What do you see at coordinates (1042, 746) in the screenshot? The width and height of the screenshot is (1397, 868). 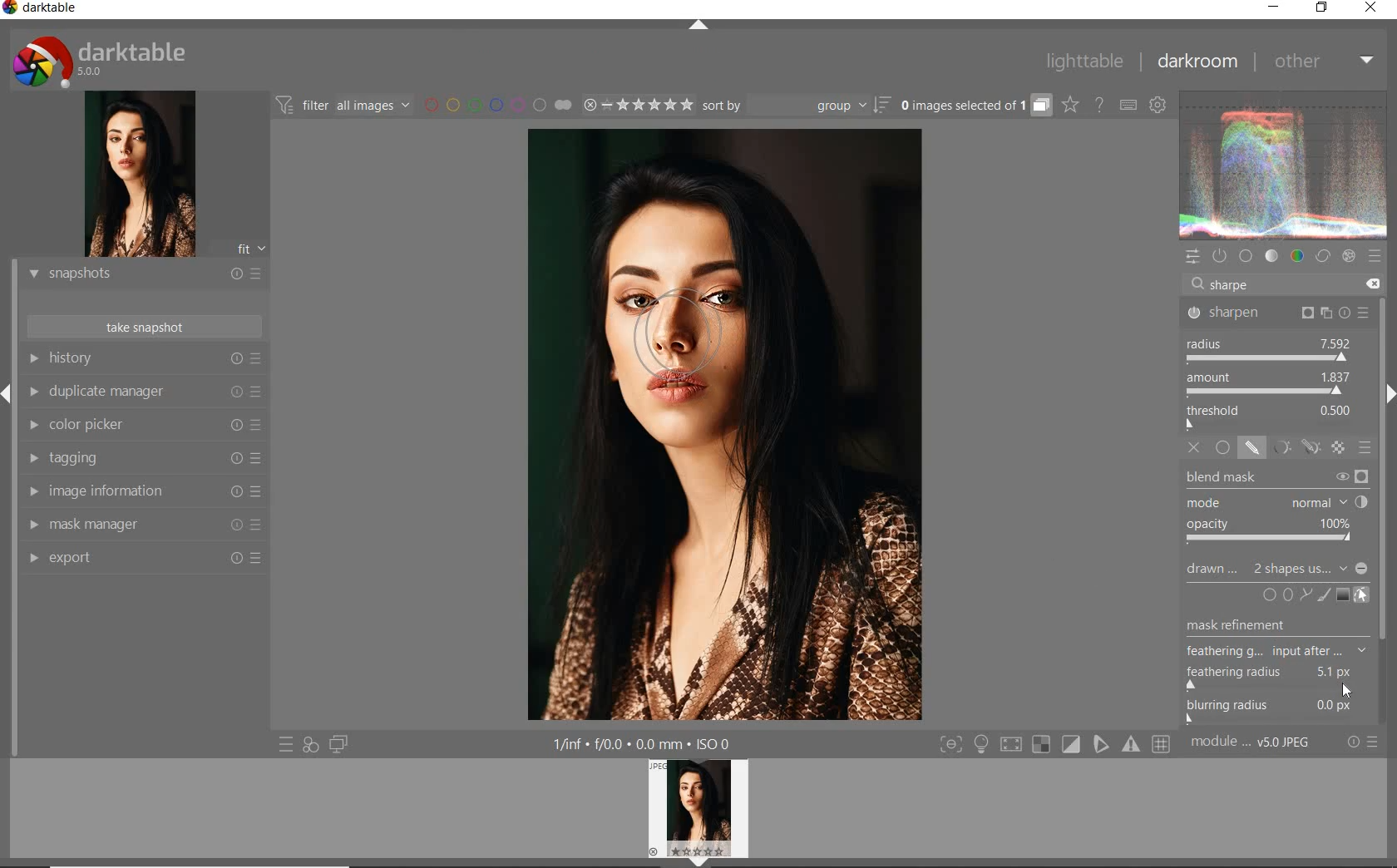 I see `sign ` at bounding box center [1042, 746].